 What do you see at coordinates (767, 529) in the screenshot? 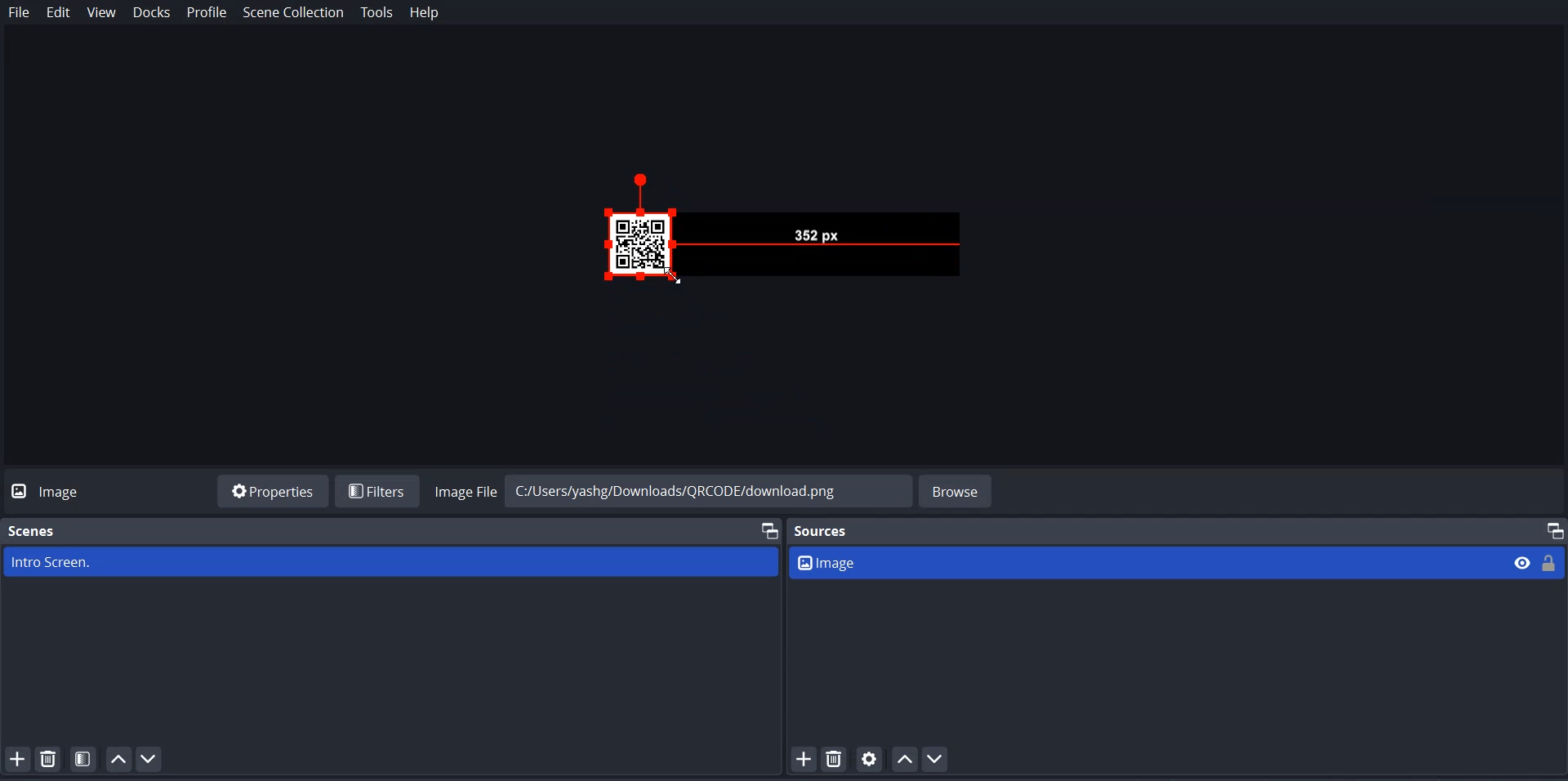
I see `Maximize` at bounding box center [767, 529].